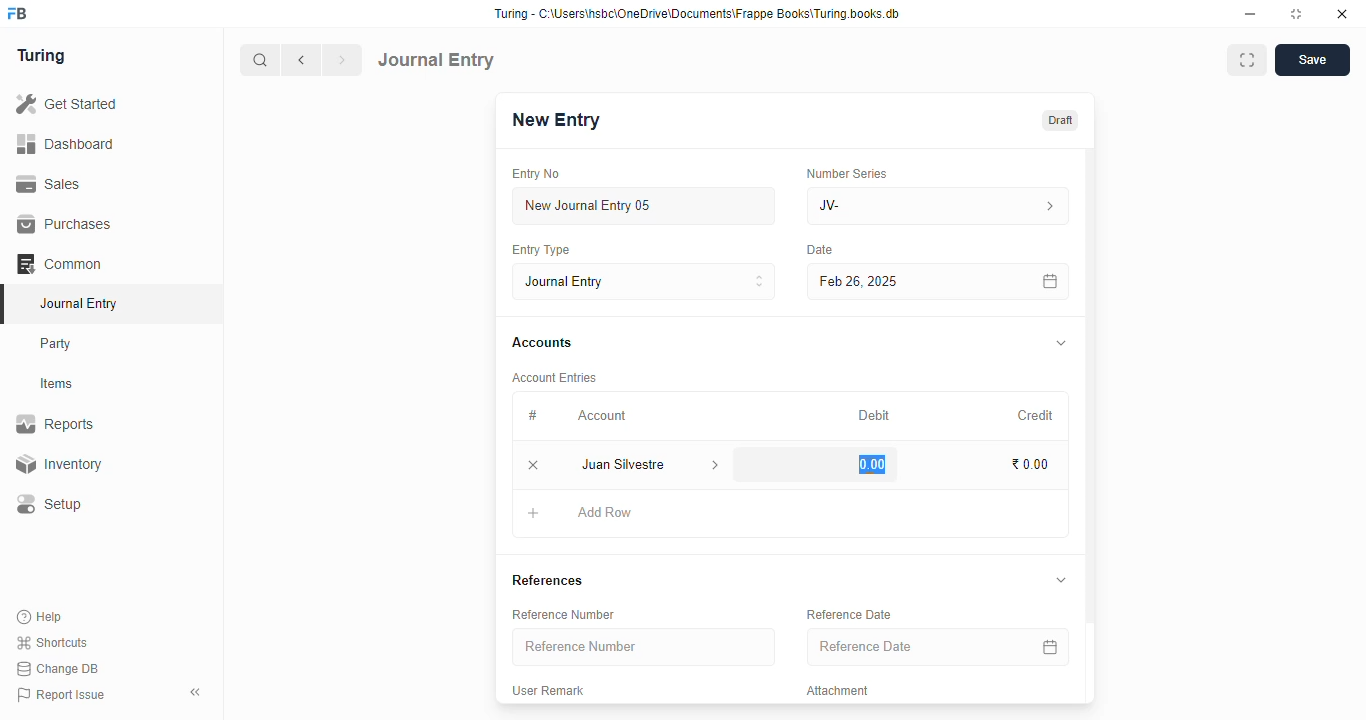 This screenshot has height=720, width=1366. I want to click on #, so click(533, 415).